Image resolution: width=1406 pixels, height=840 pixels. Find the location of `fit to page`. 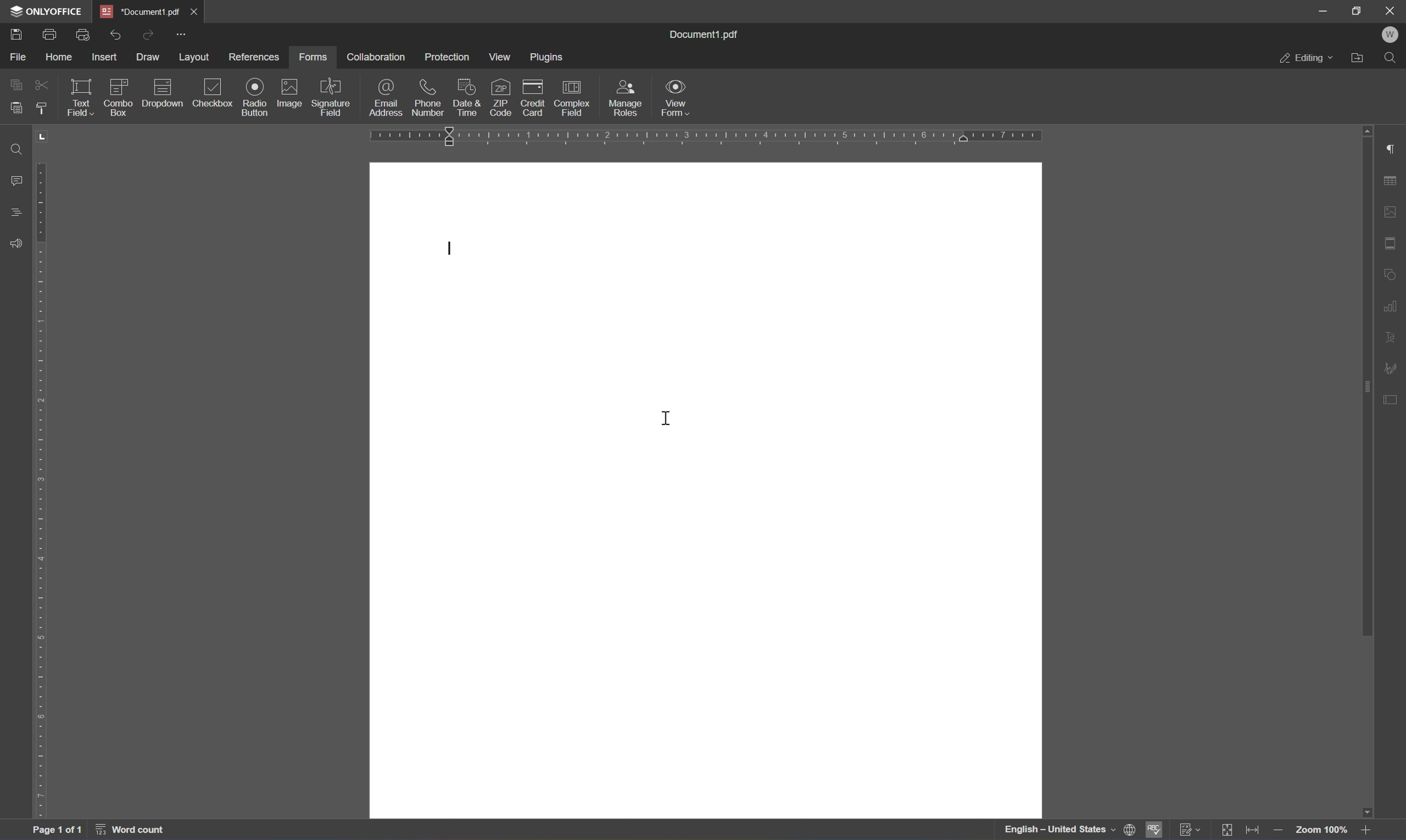

fit to page is located at coordinates (1229, 828).